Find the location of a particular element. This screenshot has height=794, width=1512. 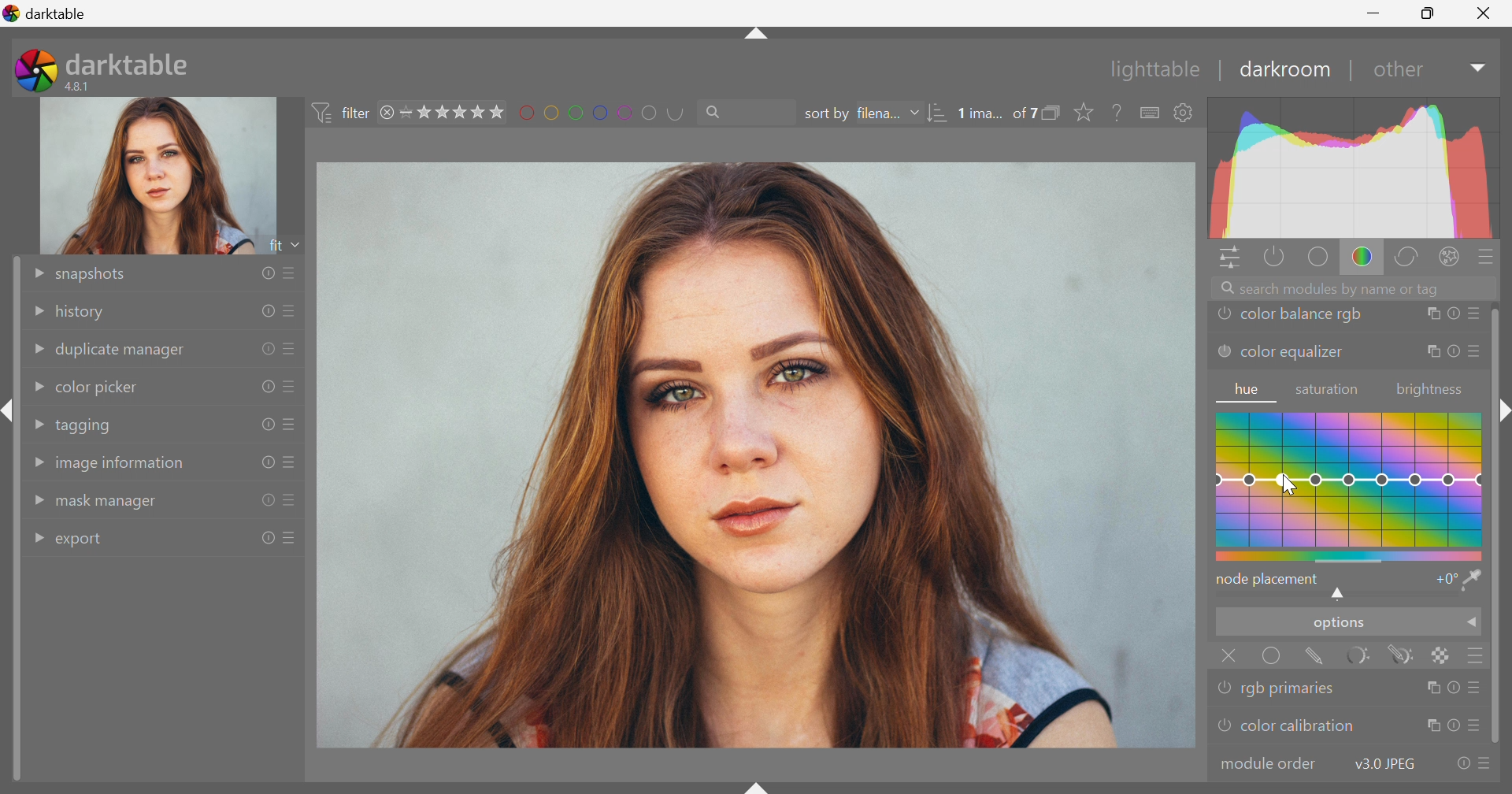

lighttable is located at coordinates (1150, 70).